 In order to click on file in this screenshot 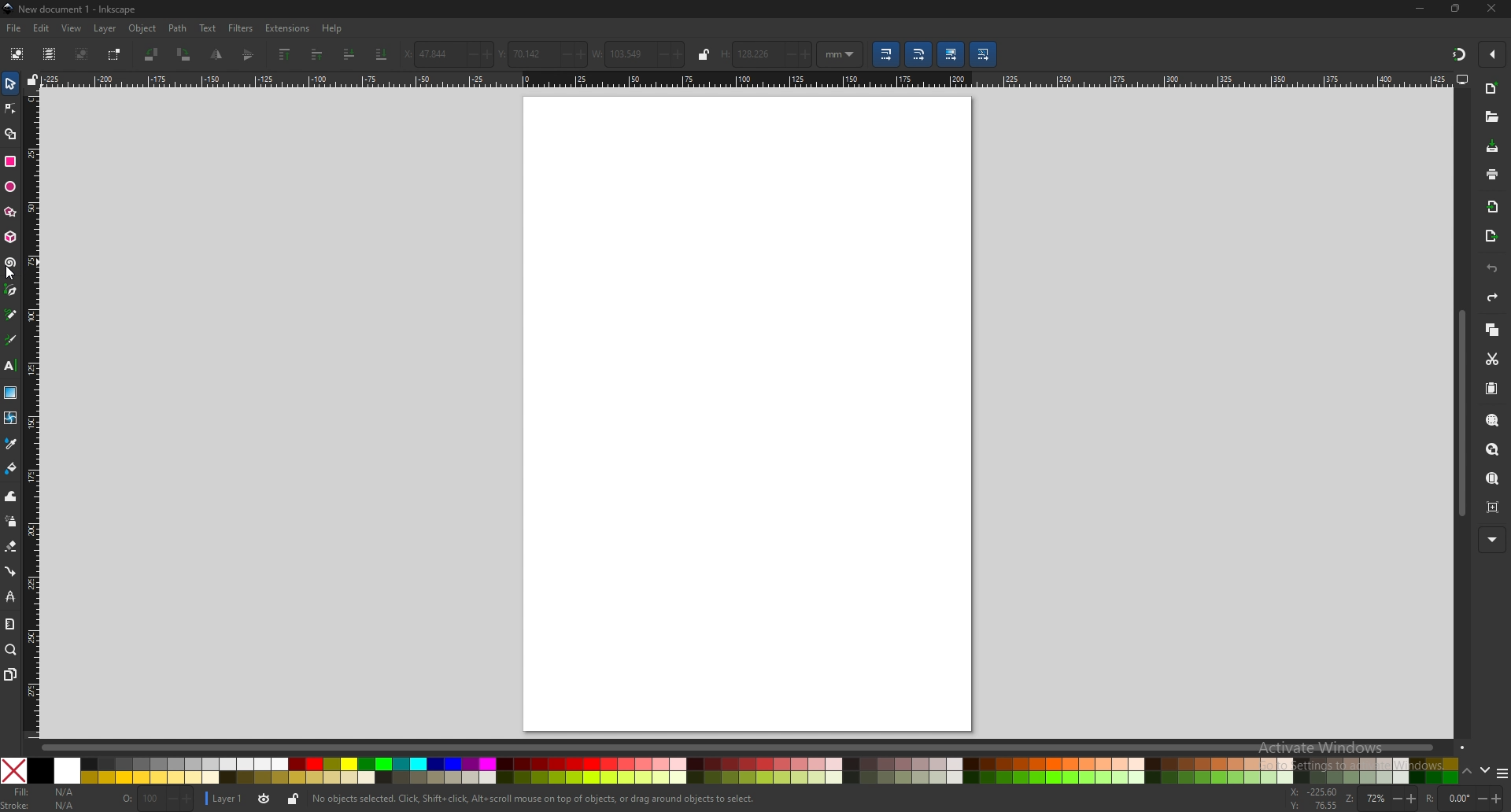, I will do `click(13, 28)`.